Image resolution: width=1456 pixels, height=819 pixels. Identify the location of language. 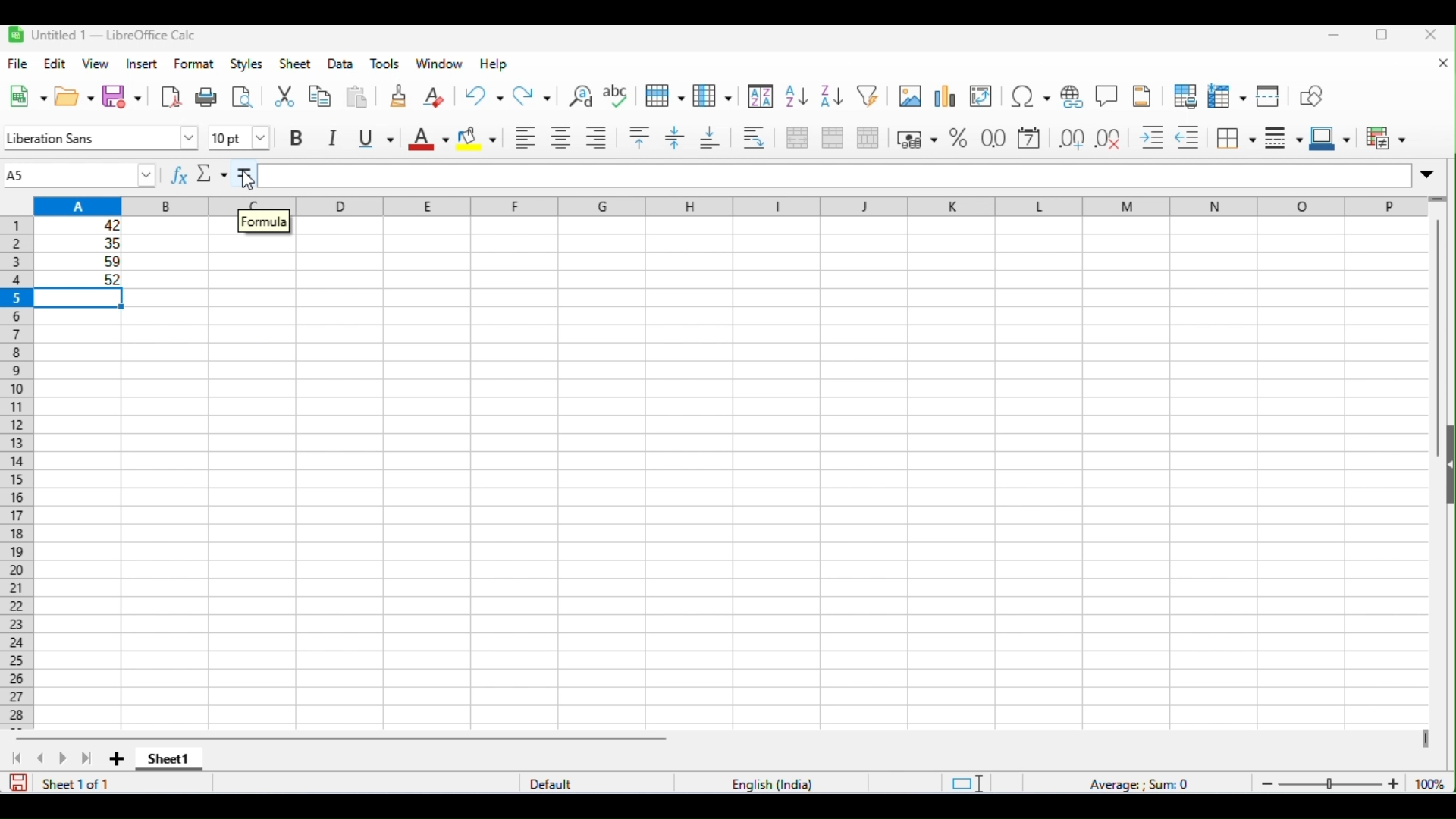
(773, 784).